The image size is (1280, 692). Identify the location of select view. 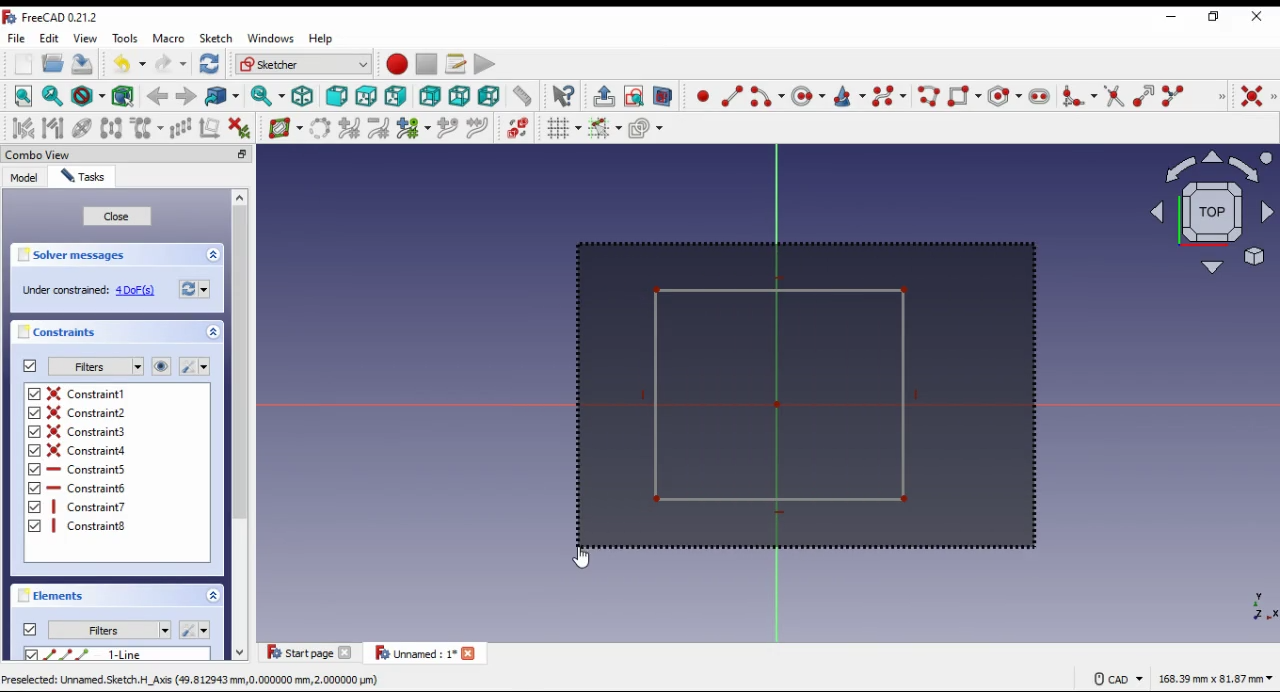
(1208, 212).